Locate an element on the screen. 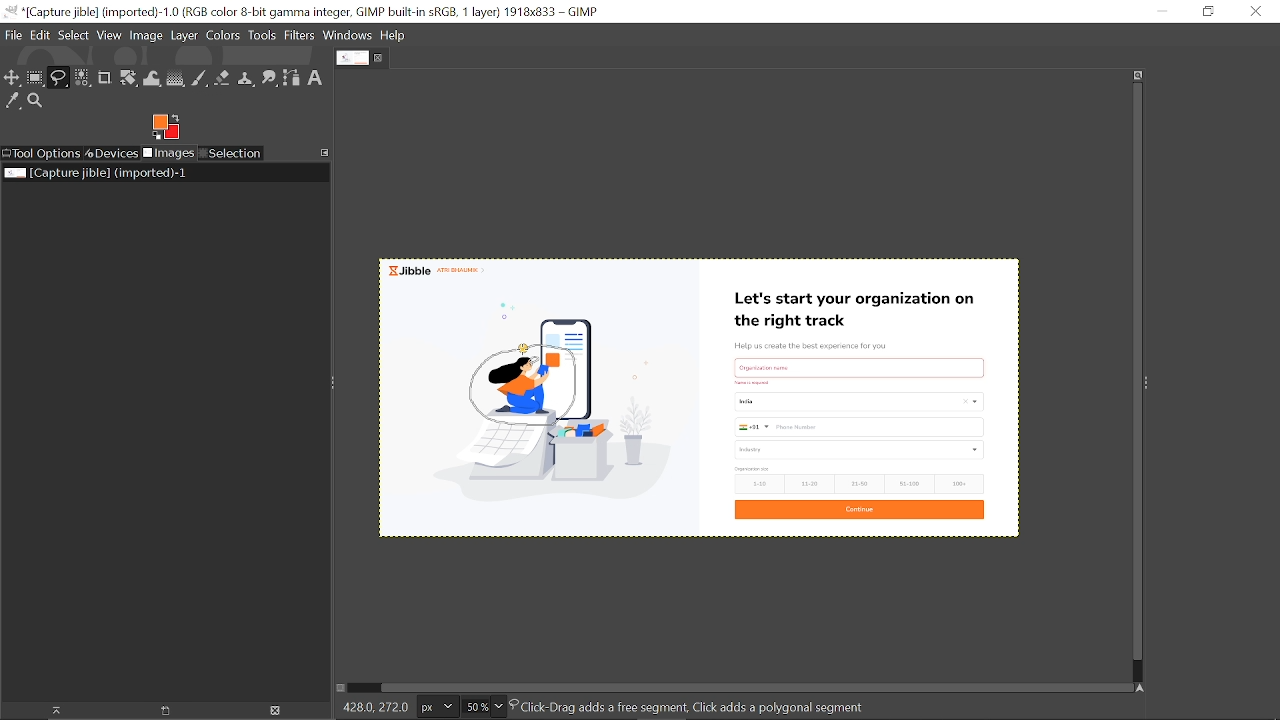 This screenshot has width=1280, height=720. jible is located at coordinates (433, 273).